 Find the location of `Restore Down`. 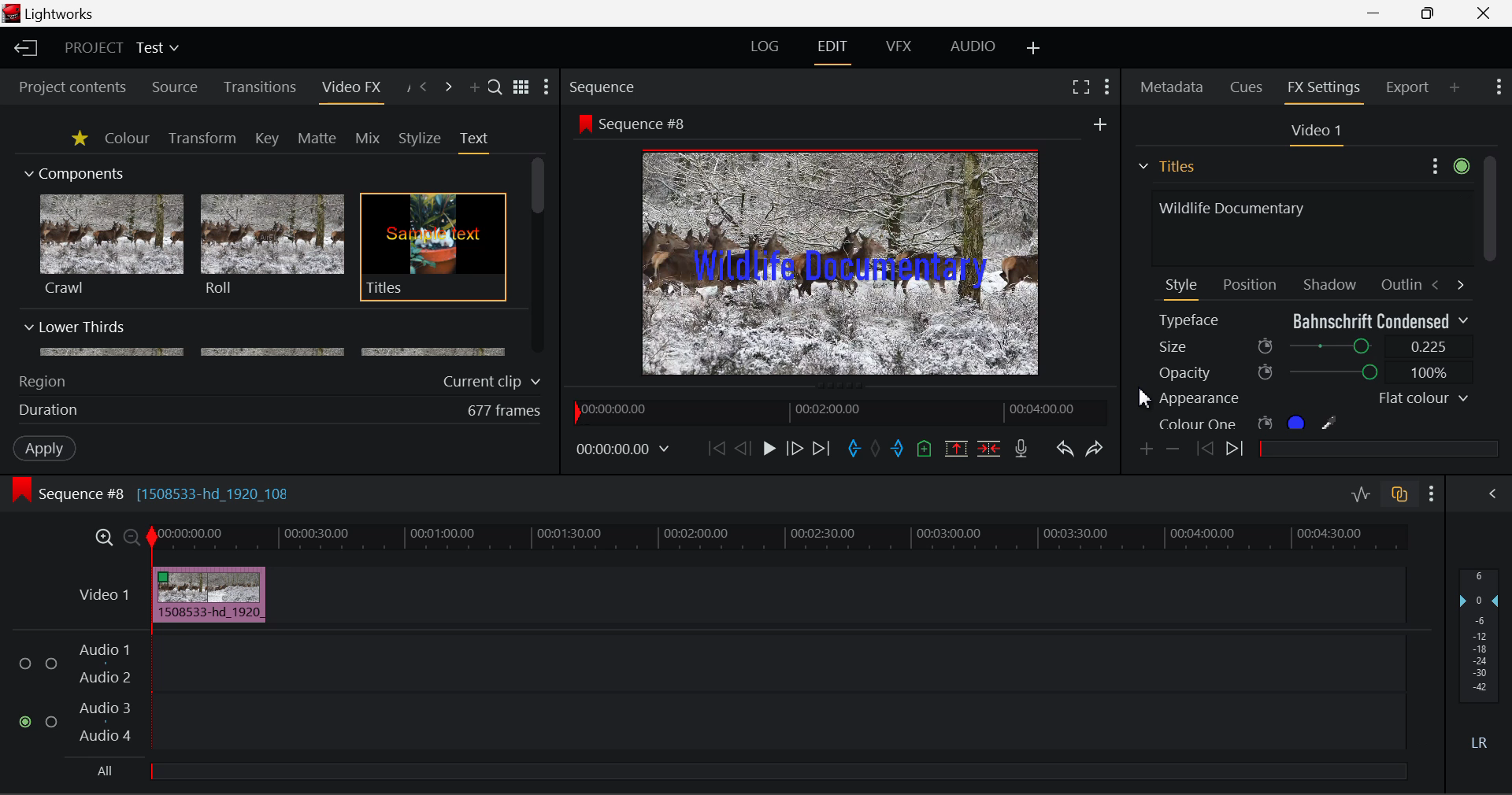

Restore Down is located at coordinates (1375, 11).